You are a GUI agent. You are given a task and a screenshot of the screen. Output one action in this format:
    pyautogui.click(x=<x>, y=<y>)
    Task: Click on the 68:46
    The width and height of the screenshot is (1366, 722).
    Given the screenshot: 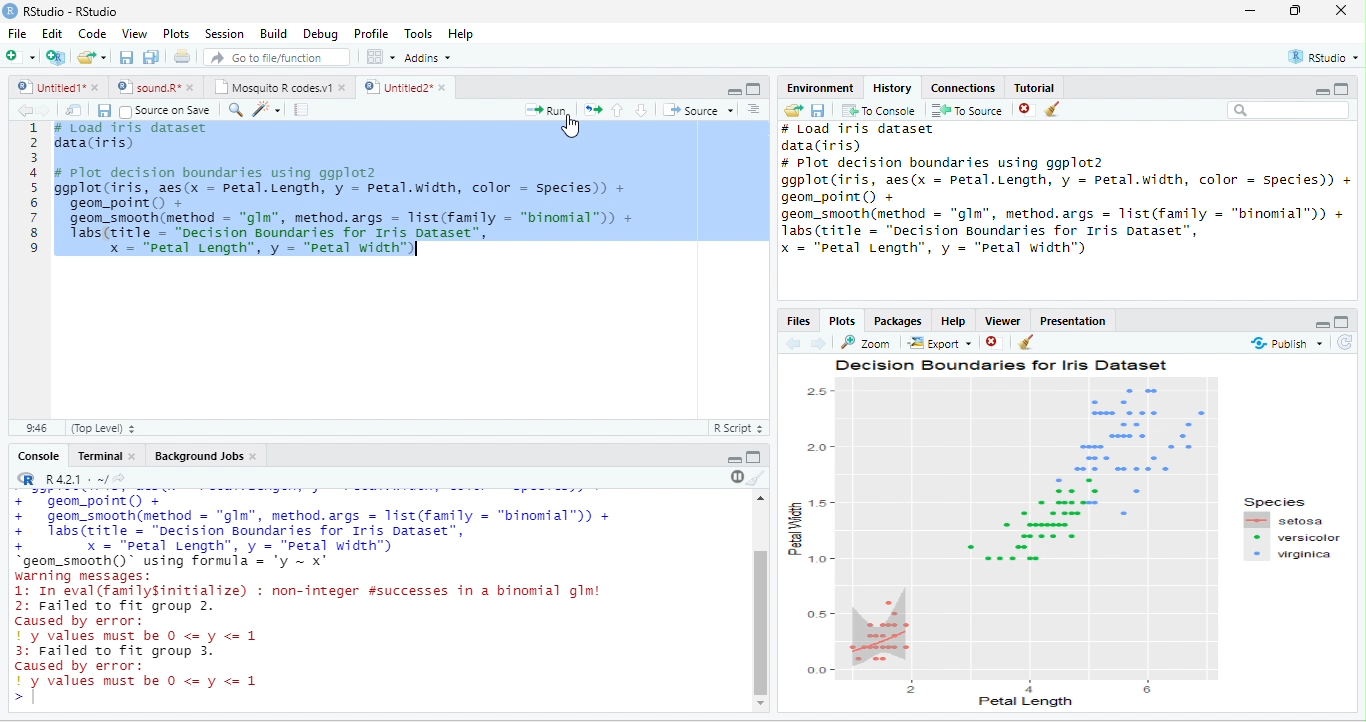 What is the action you would take?
    pyautogui.click(x=36, y=428)
    